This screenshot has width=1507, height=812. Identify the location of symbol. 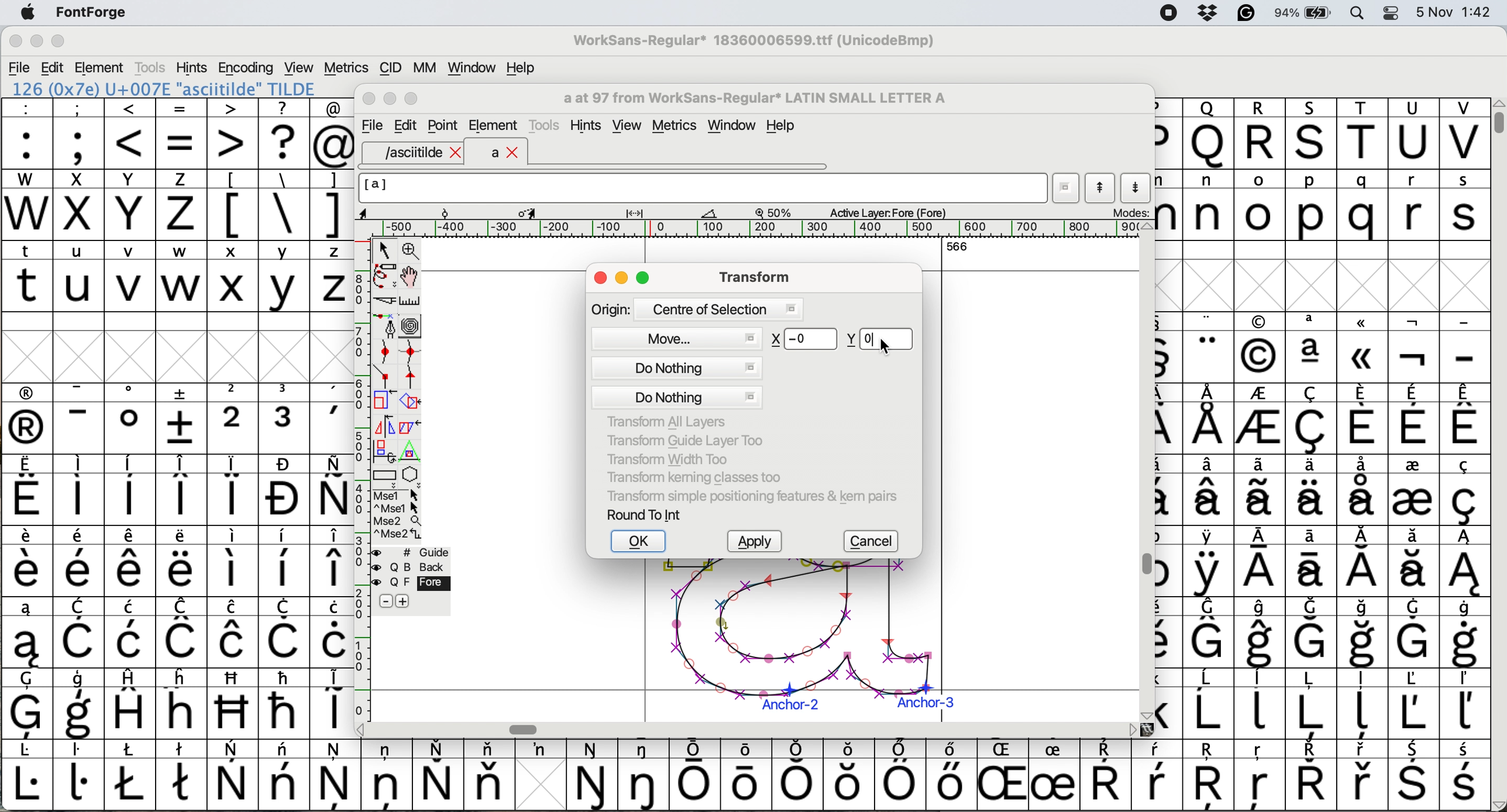
(749, 773).